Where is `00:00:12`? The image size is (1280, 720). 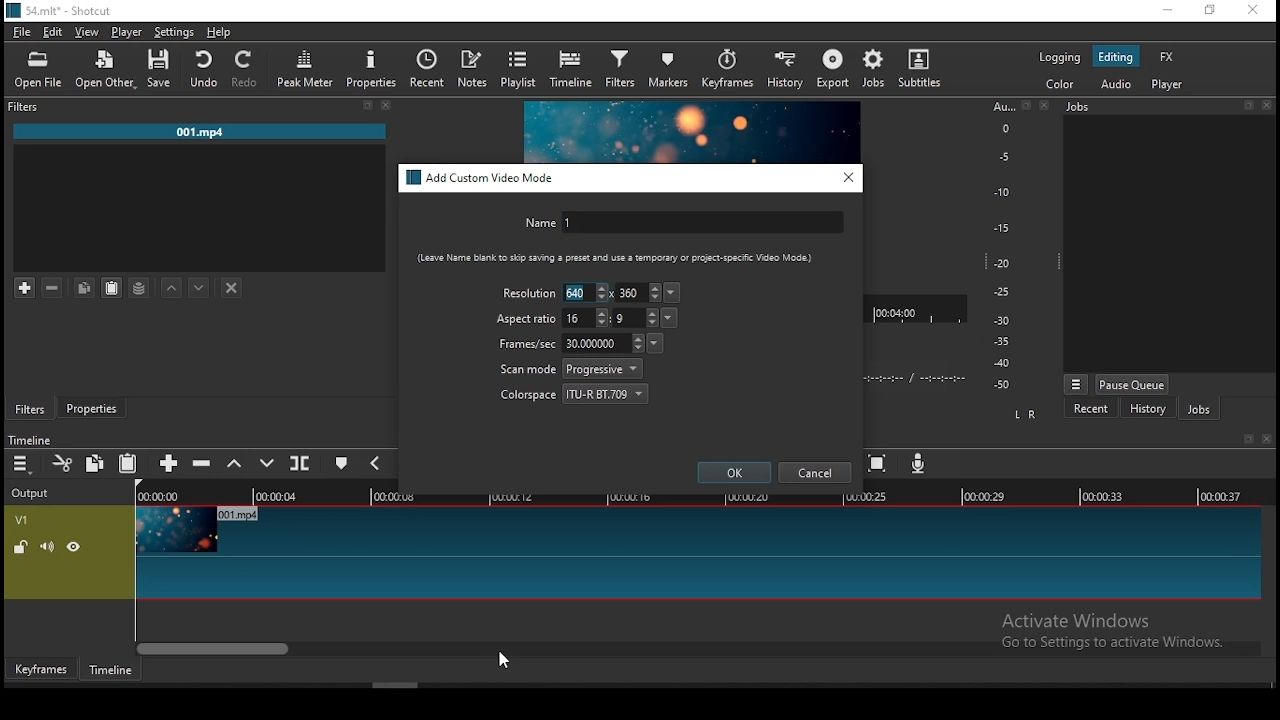 00:00:12 is located at coordinates (515, 496).